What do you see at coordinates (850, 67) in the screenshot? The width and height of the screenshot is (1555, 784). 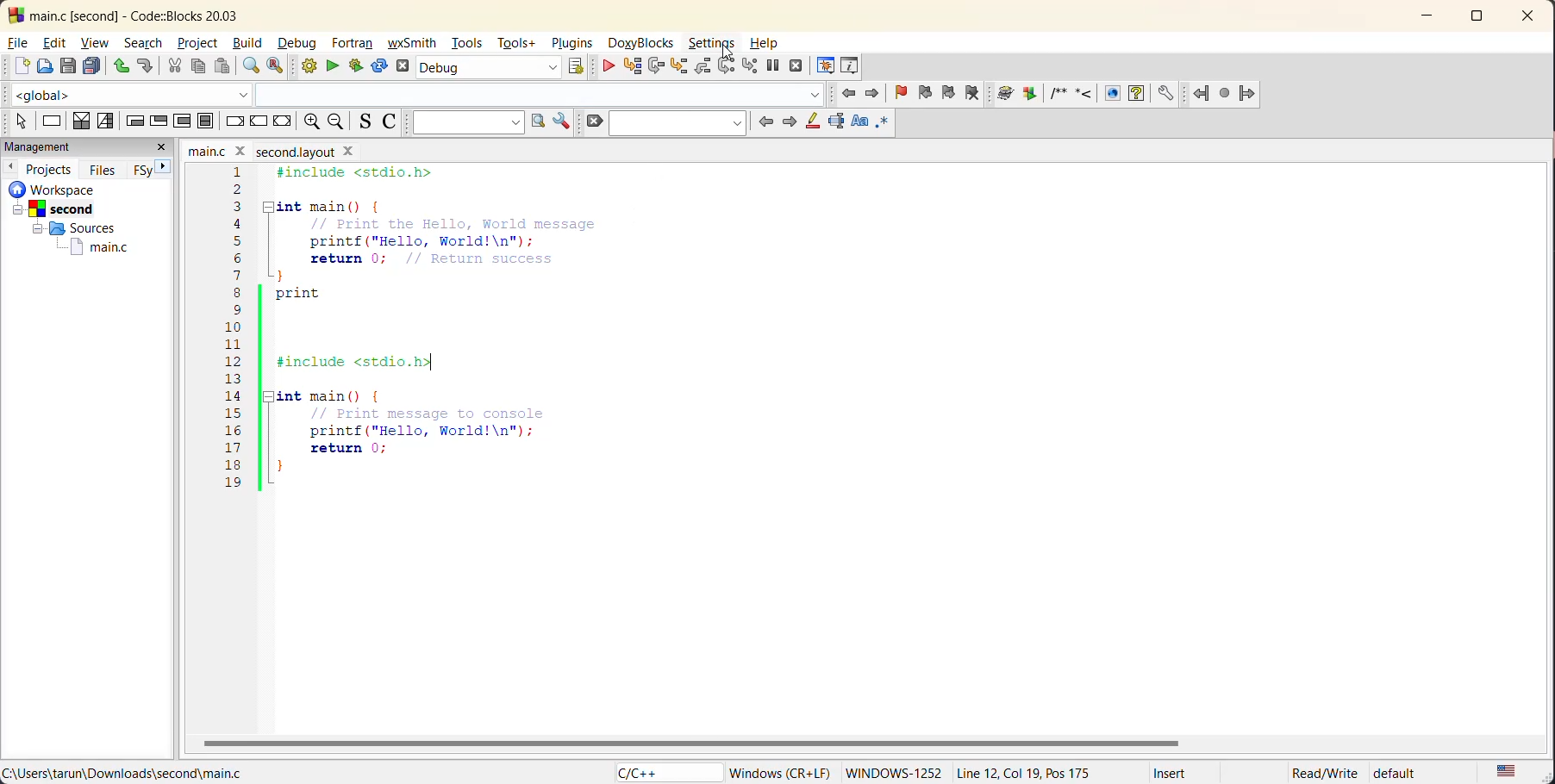 I see `various info` at bounding box center [850, 67].